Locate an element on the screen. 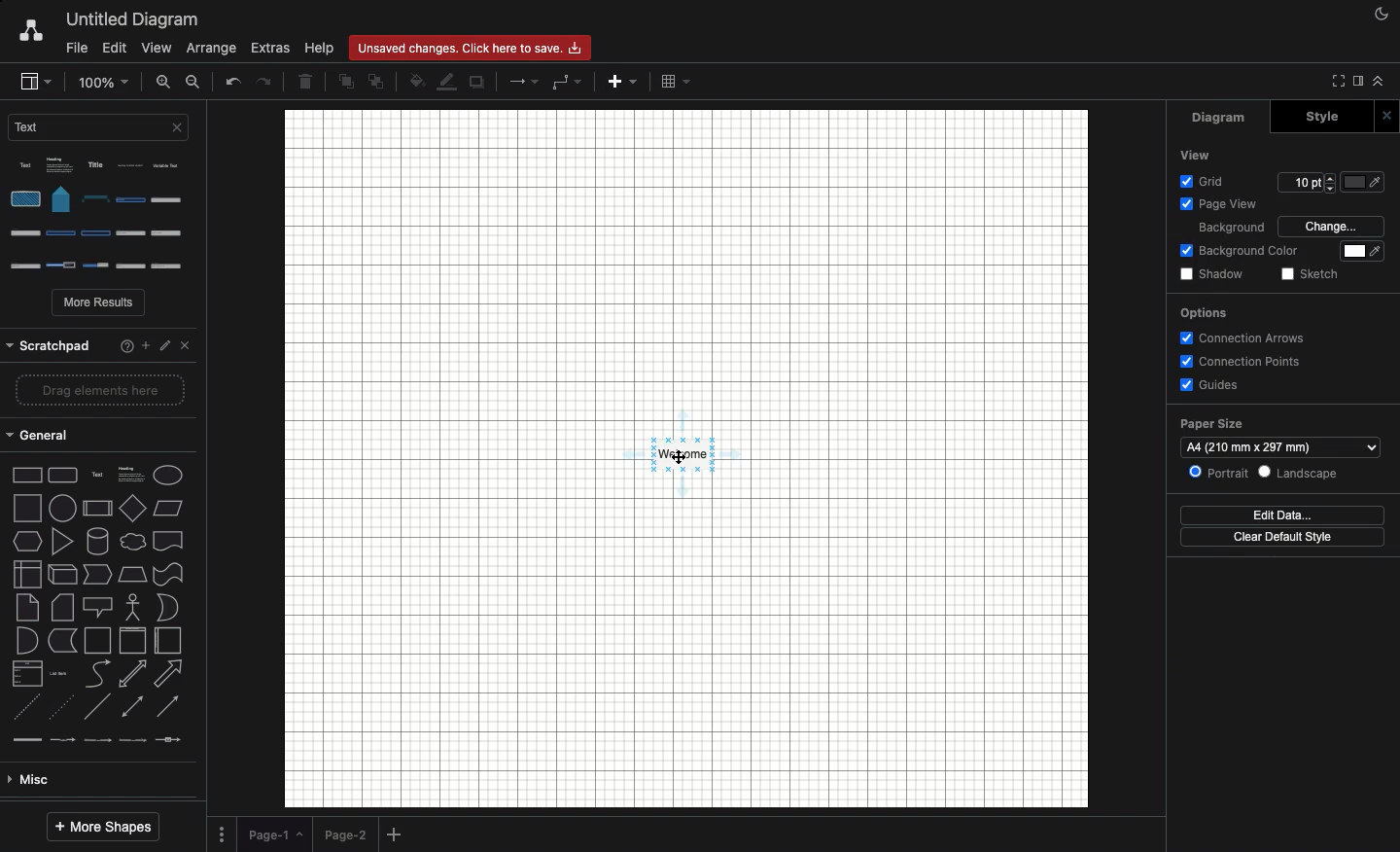  changes is located at coordinates (475, 47).